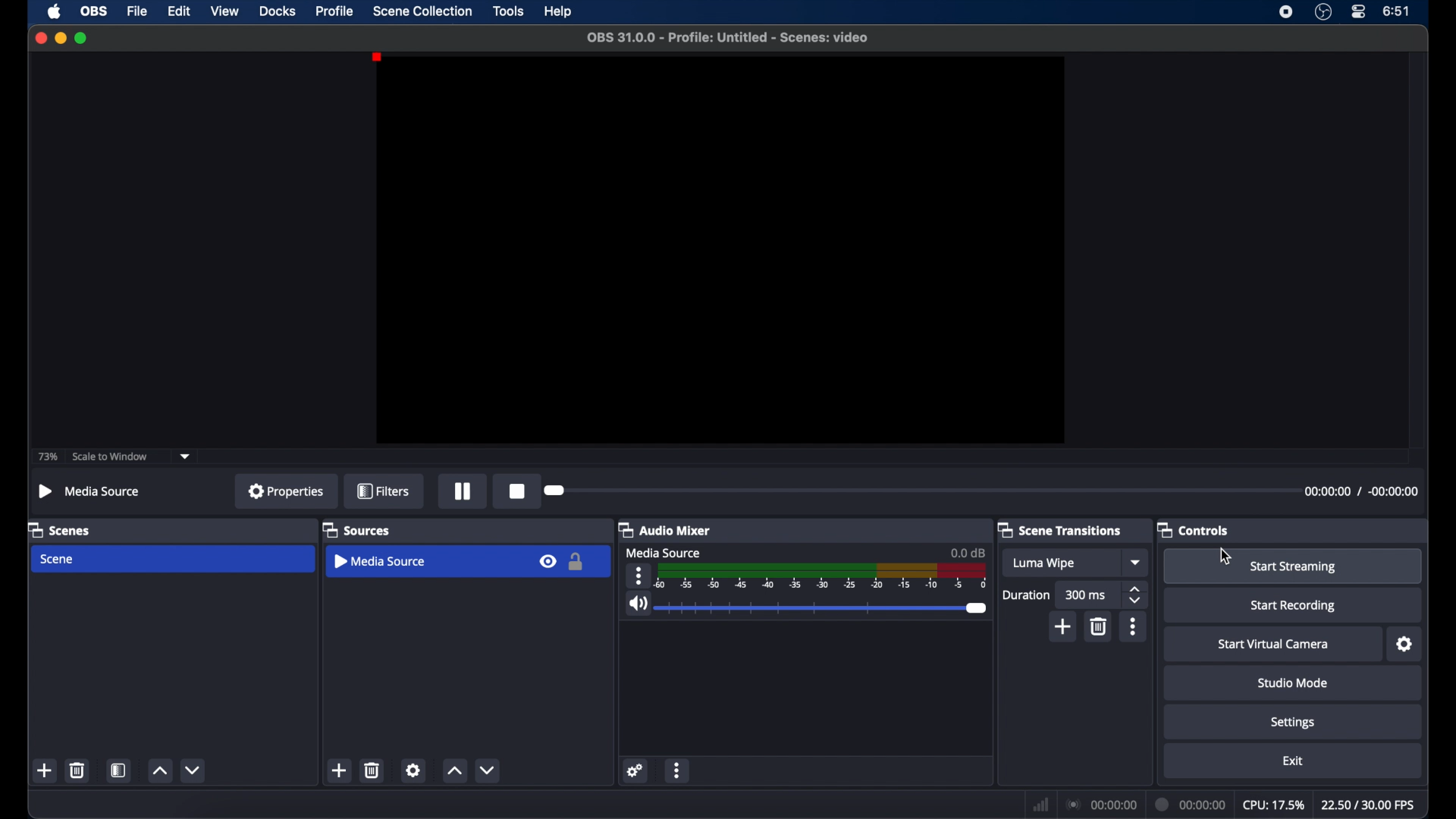  I want to click on media source, so click(89, 491).